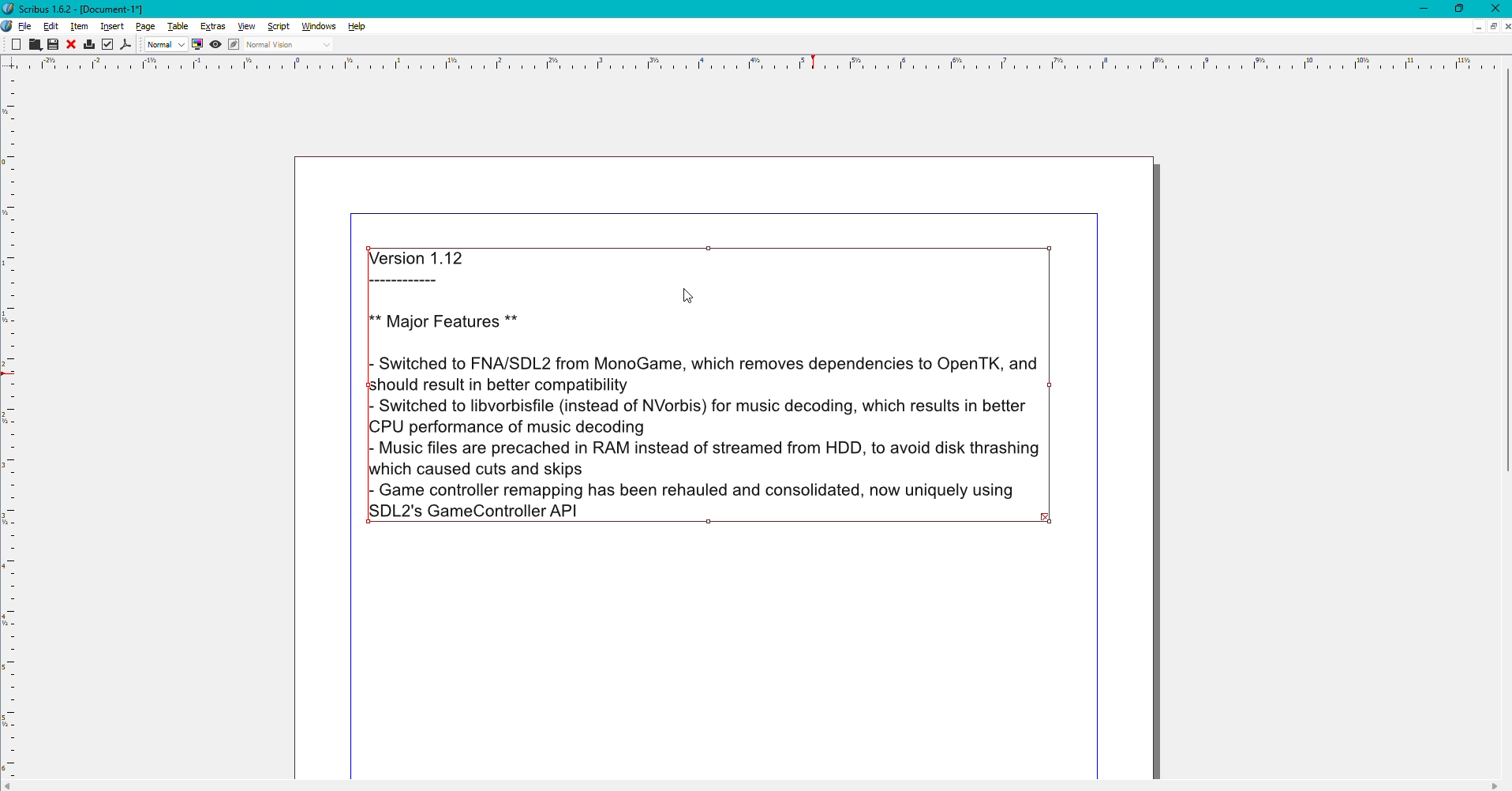  I want to click on Version 1.12, so click(425, 256).